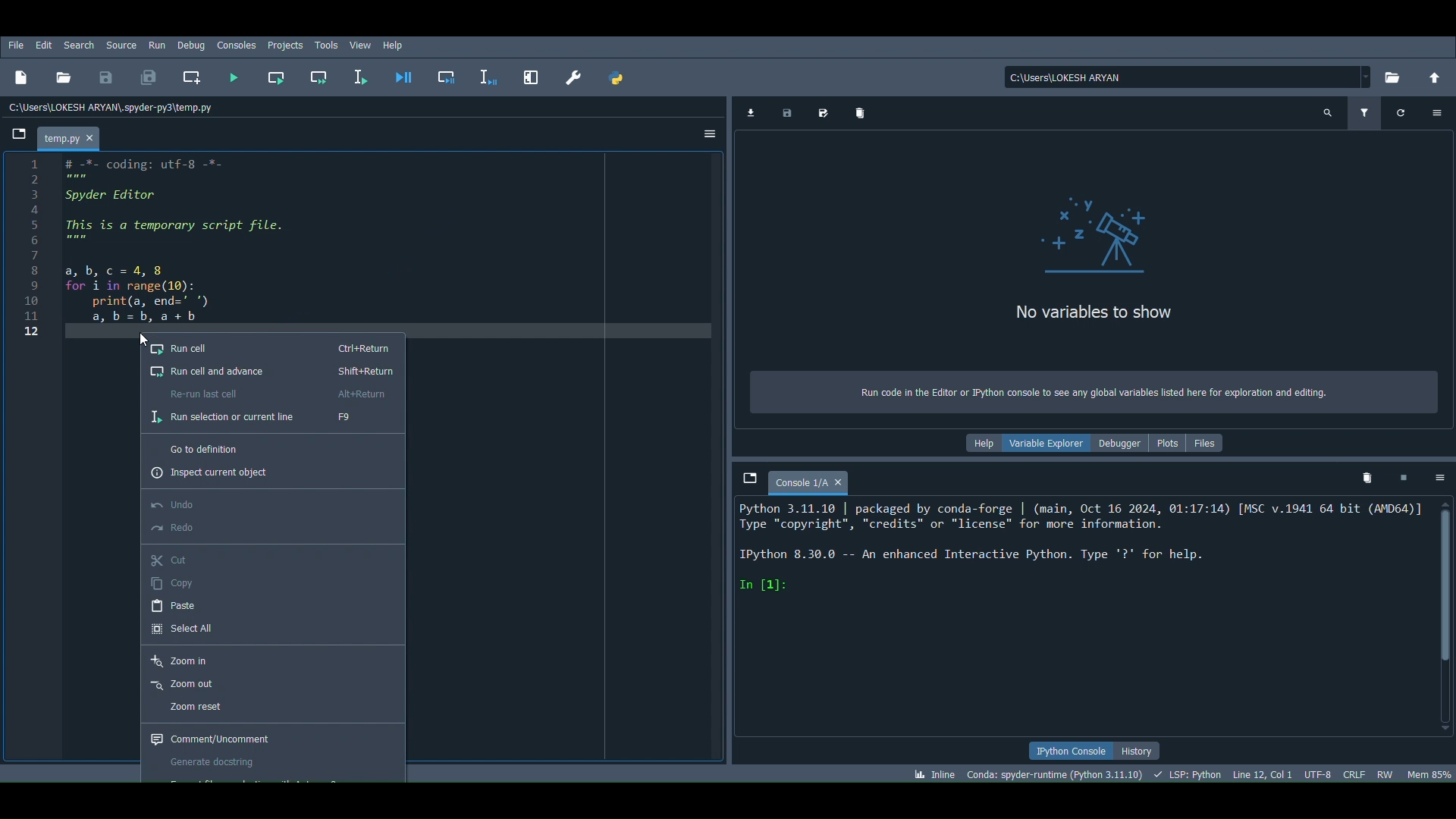  What do you see at coordinates (1403, 478) in the screenshot?
I see `Interrupt kernel` at bounding box center [1403, 478].